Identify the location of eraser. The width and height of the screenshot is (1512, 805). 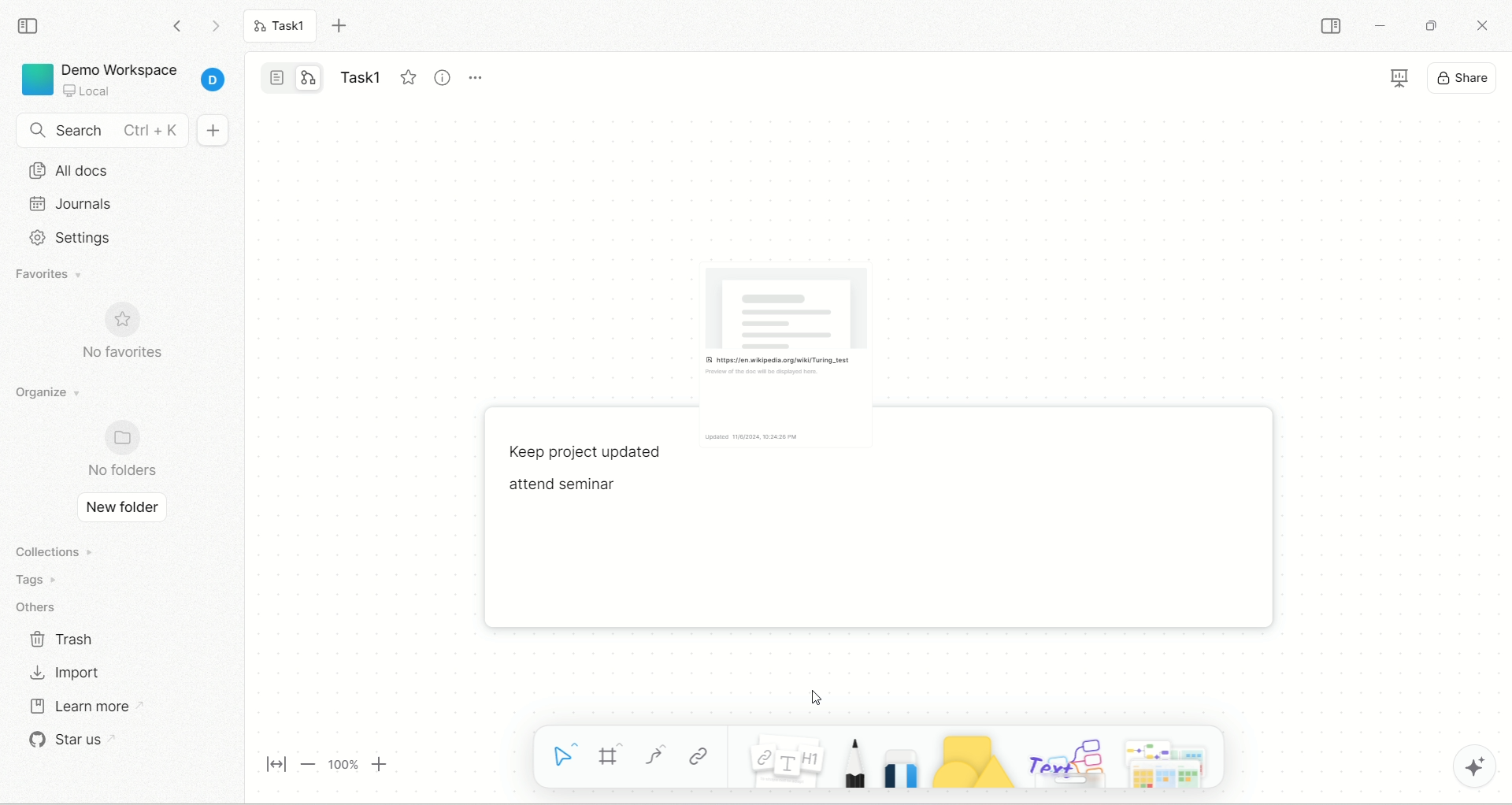
(900, 768).